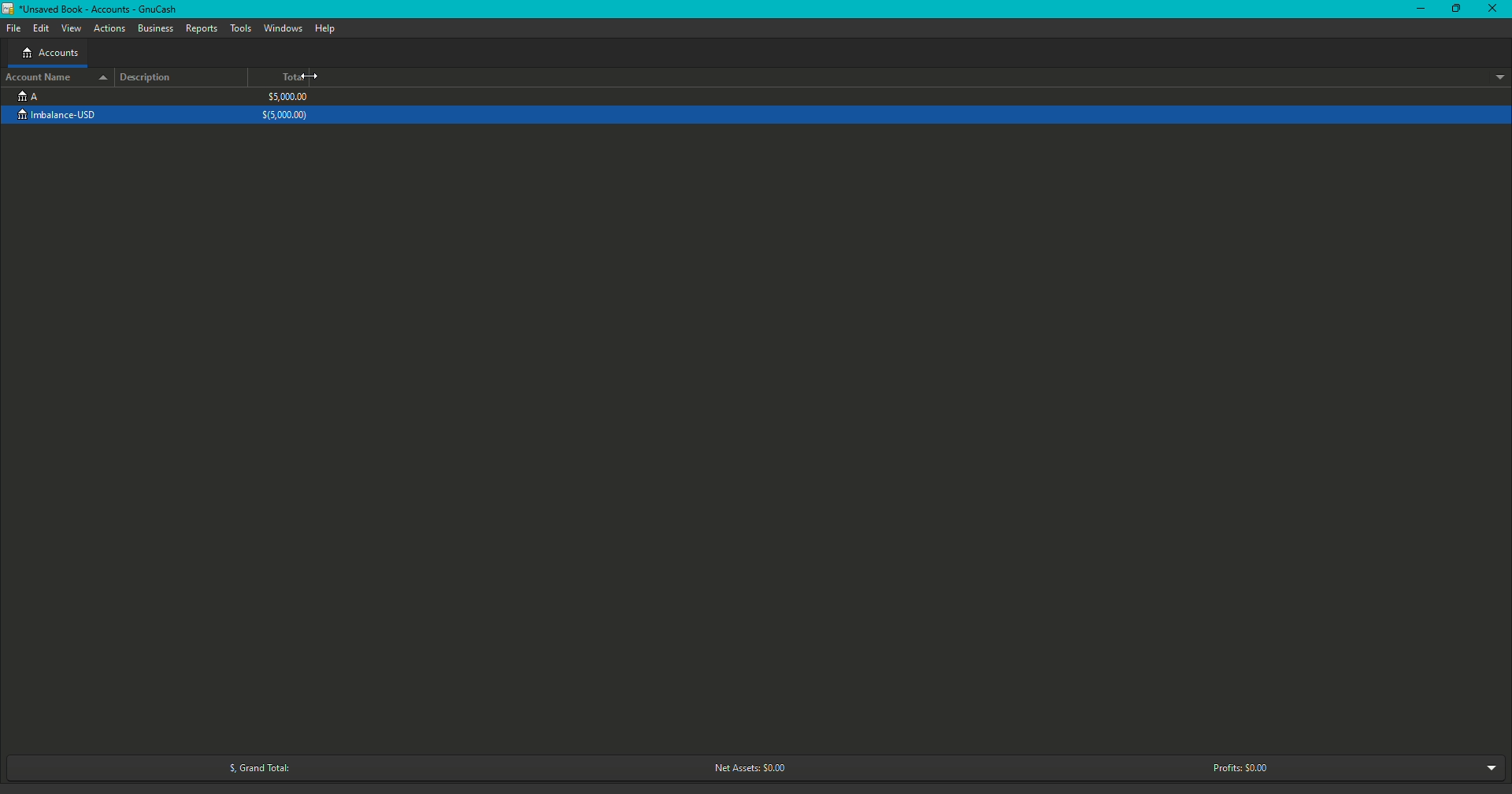 The width and height of the screenshot is (1512, 794). Describe the element at coordinates (156, 29) in the screenshot. I see `Business` at that location.